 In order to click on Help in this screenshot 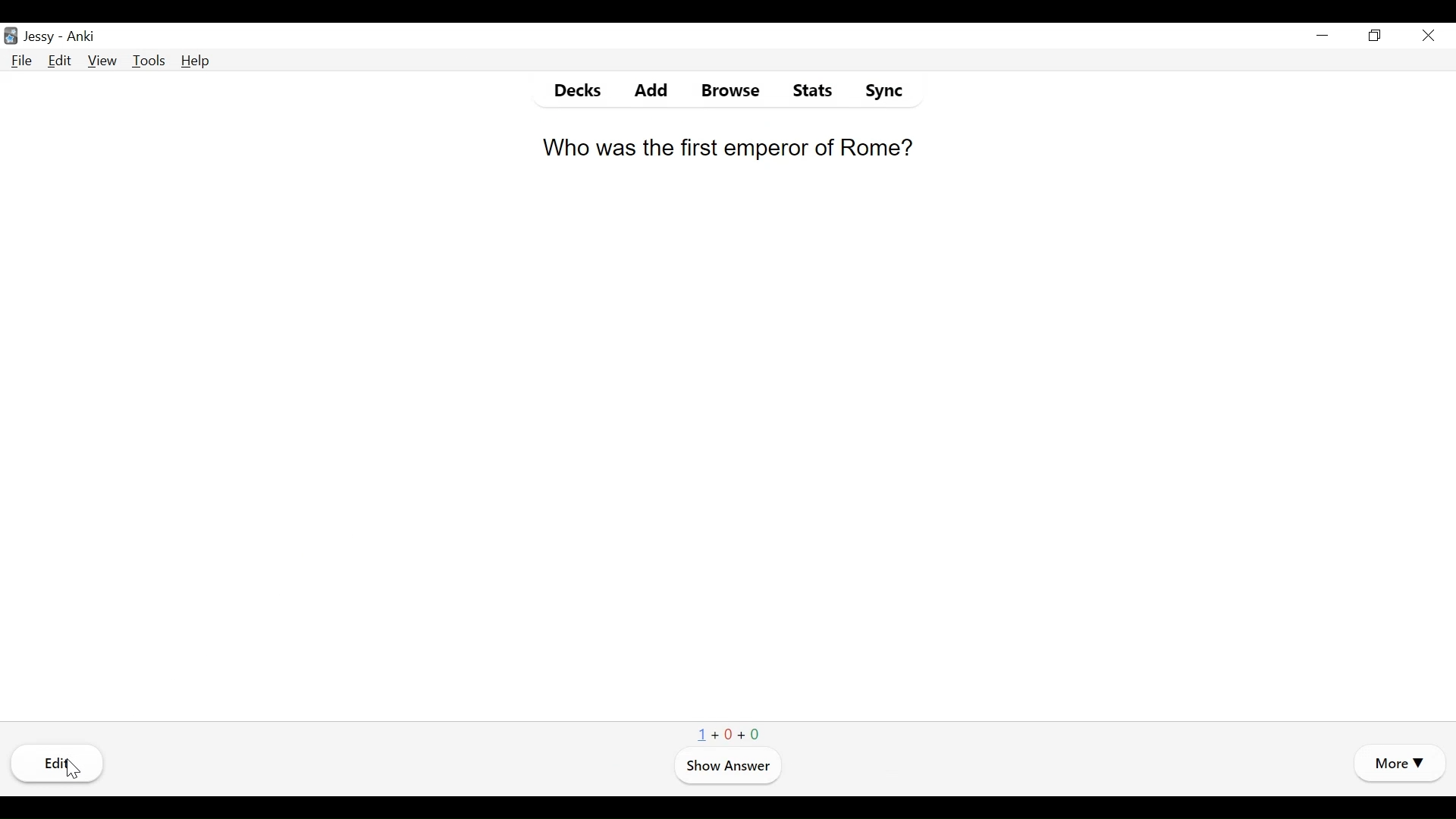, I will do `click(196, 61)`.